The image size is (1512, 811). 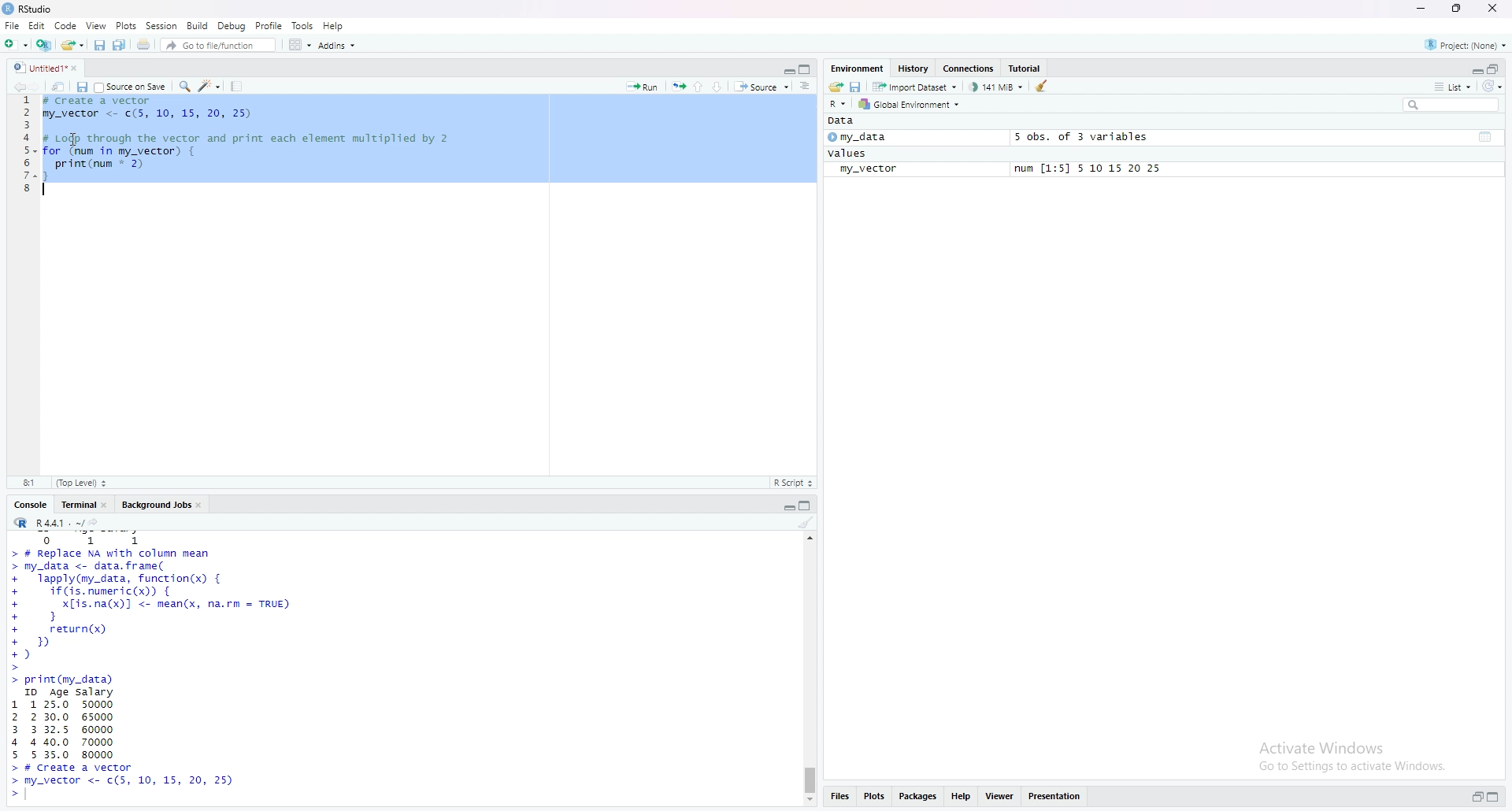 What do you see at coordinates (1420, 9) in the screenshot?
I see `minimize` at bounding box center [1420, 9].